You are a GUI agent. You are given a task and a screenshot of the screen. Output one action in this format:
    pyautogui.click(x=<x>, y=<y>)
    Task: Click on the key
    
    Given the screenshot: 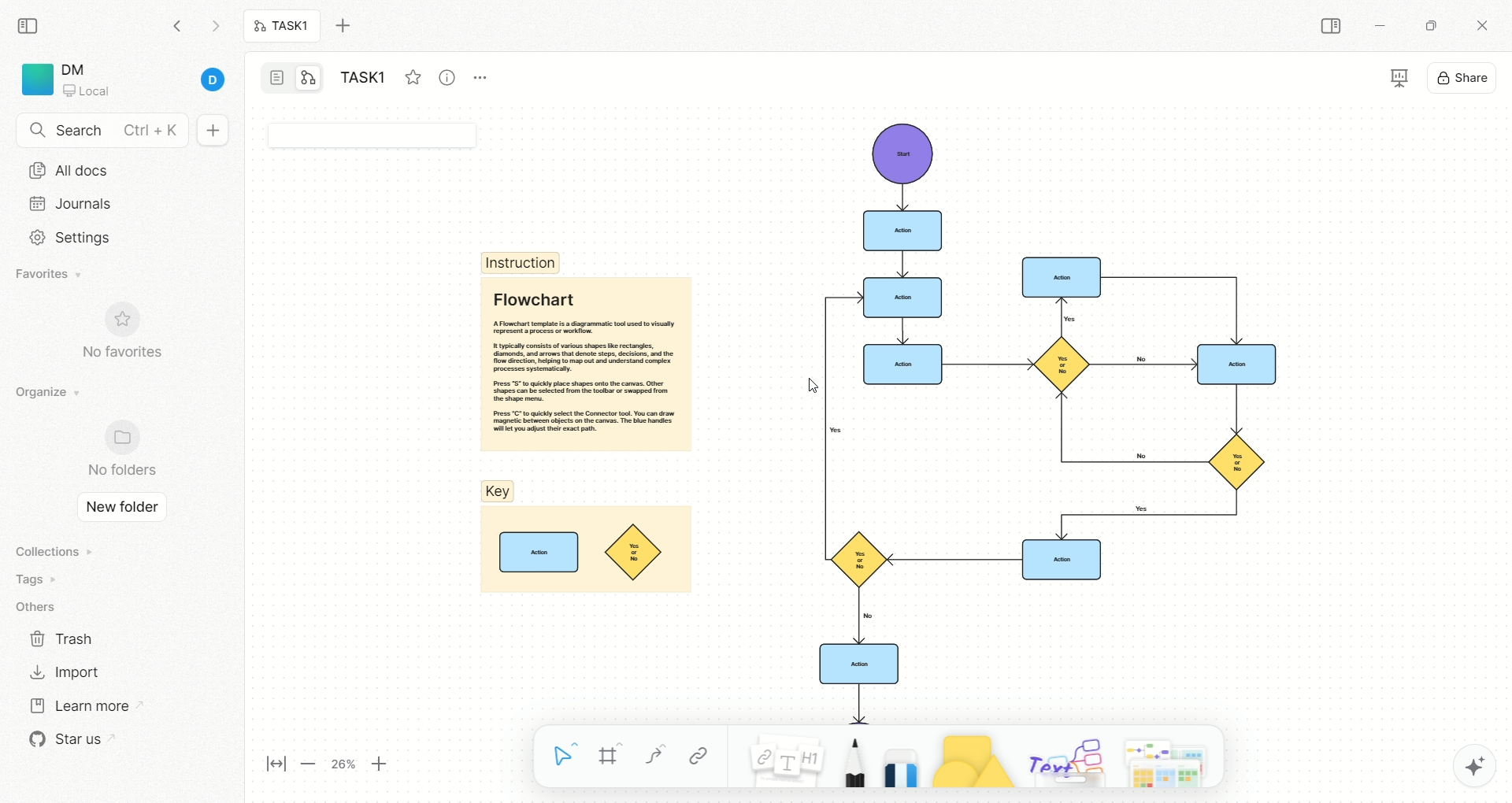 What is the action you would take?
    pyautogui.click(x=584, y=539)
    